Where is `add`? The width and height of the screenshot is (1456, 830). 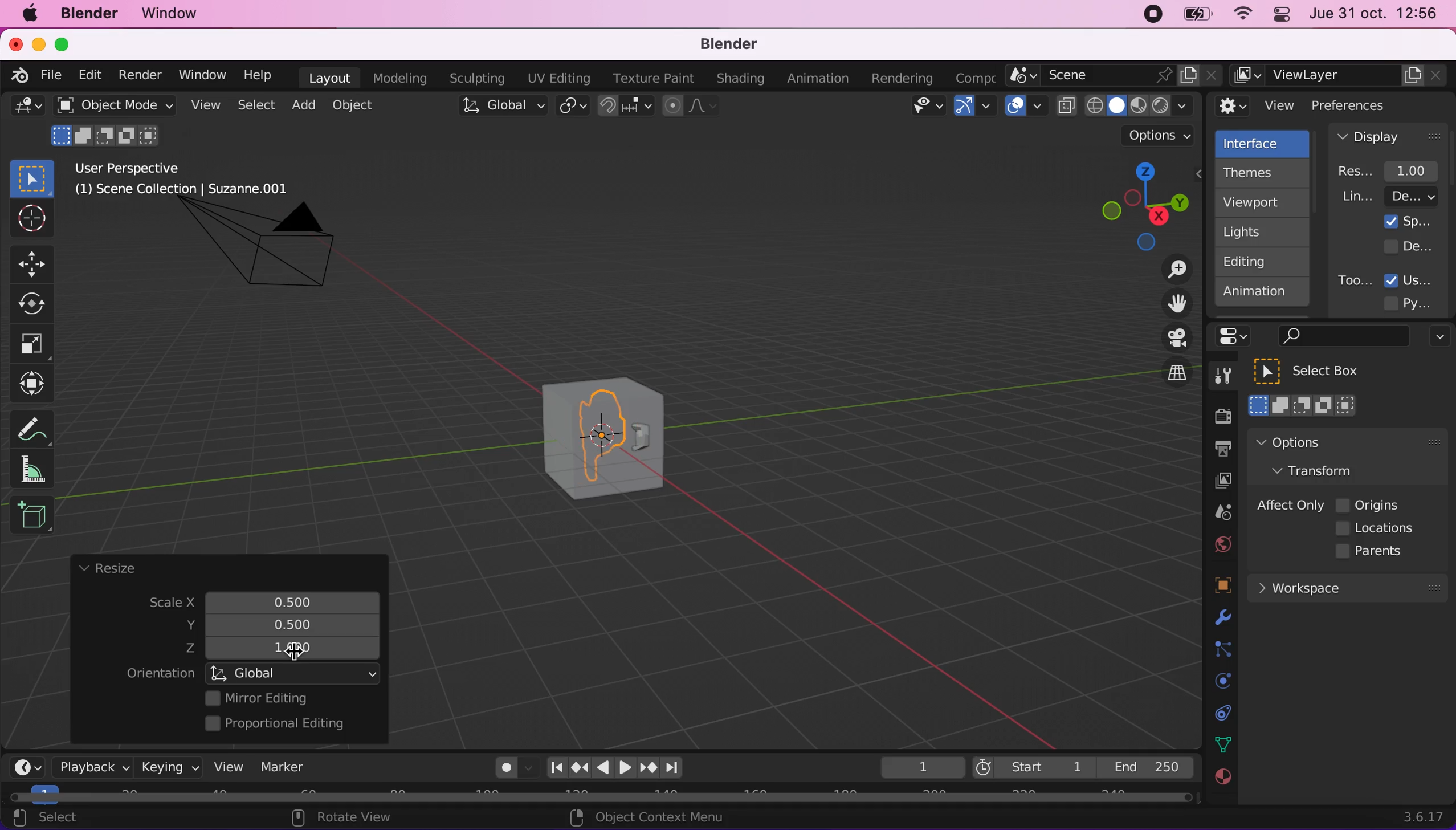 add is located at coordinates (301, 105).